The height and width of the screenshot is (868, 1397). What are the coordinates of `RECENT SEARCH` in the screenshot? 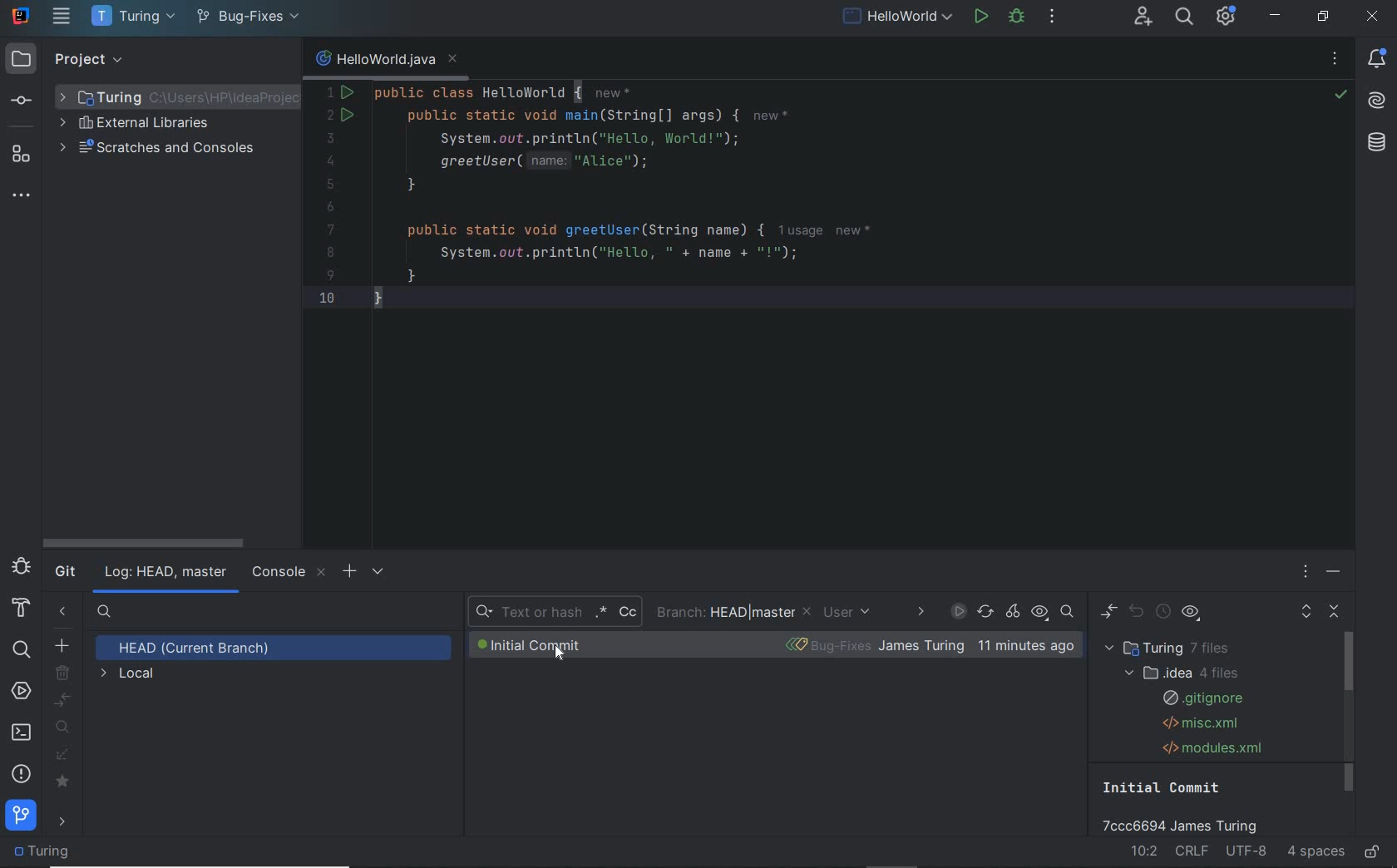 It's located at (554, 614).